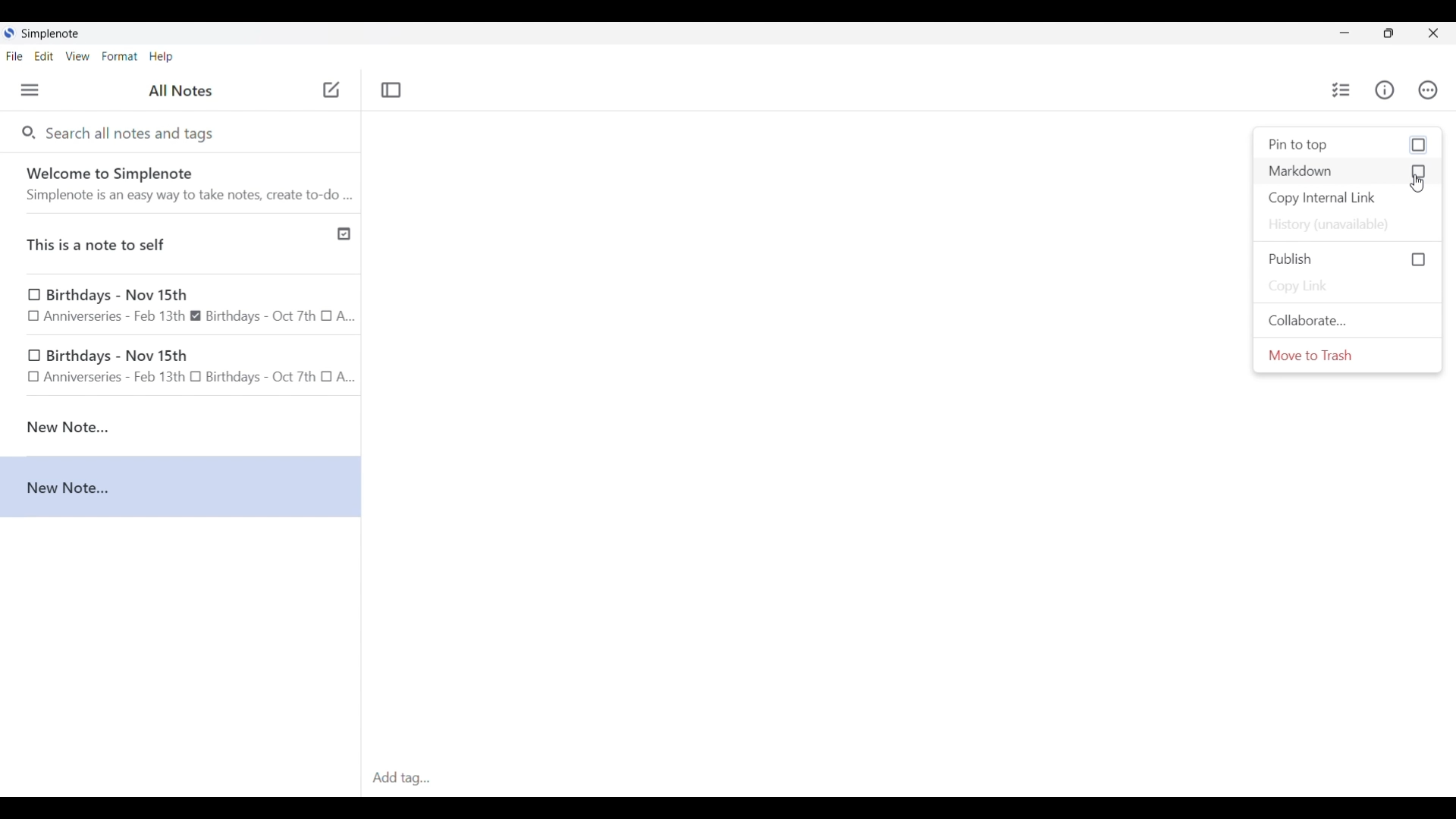  What do you see at coordinates (1385, 89) in the screenshot?
I see `Info` at bounding box center [1385, 89].